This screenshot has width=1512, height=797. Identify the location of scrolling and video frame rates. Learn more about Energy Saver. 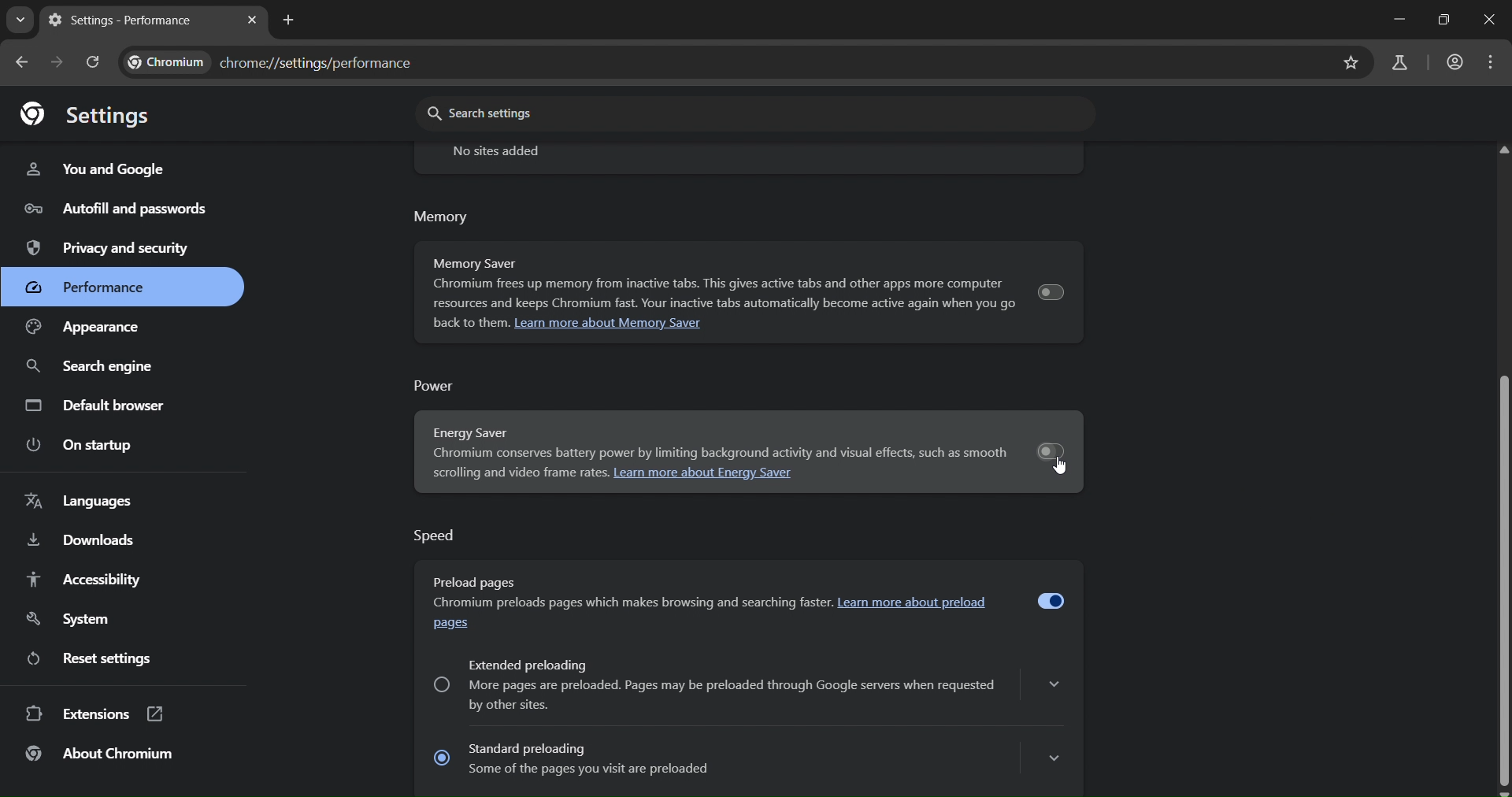
(721, 454).